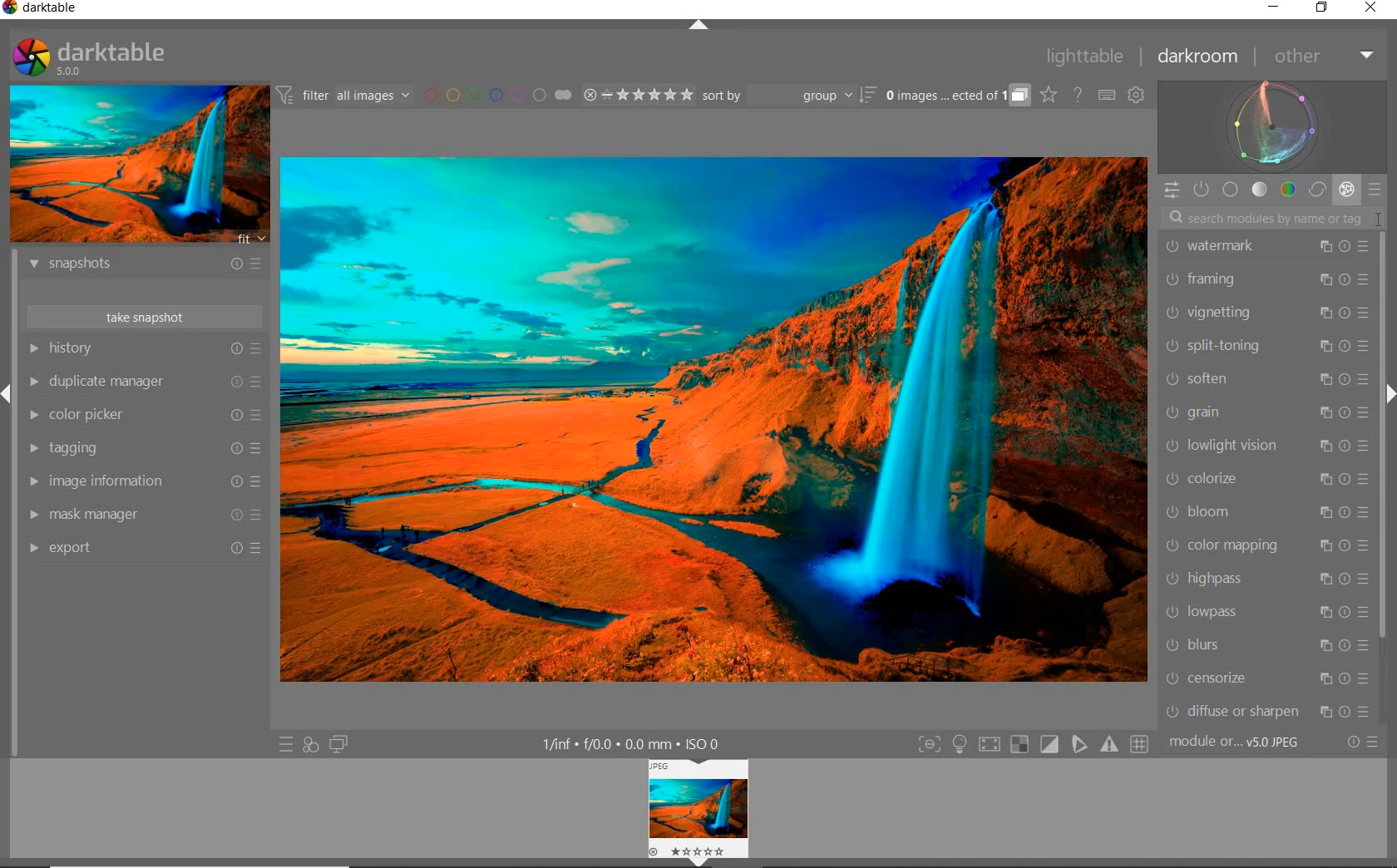  What do you see at coordinates (1271, 246) in the screenshot?
I see `COLOR CALIBRATION` at bounding box center [1271, 246].